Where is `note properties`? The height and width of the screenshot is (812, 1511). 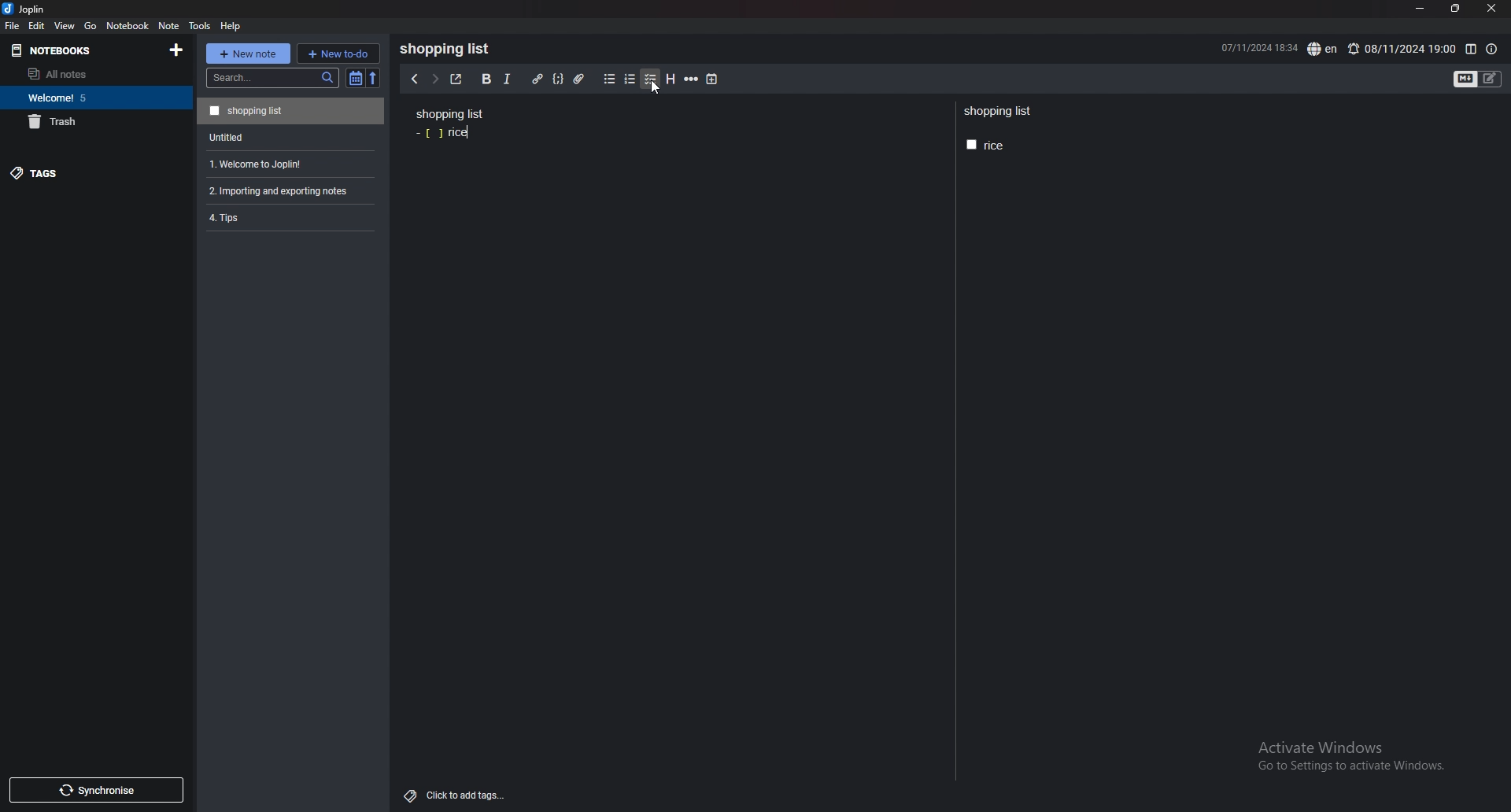 note properties is located at coordinates (1491, 50).